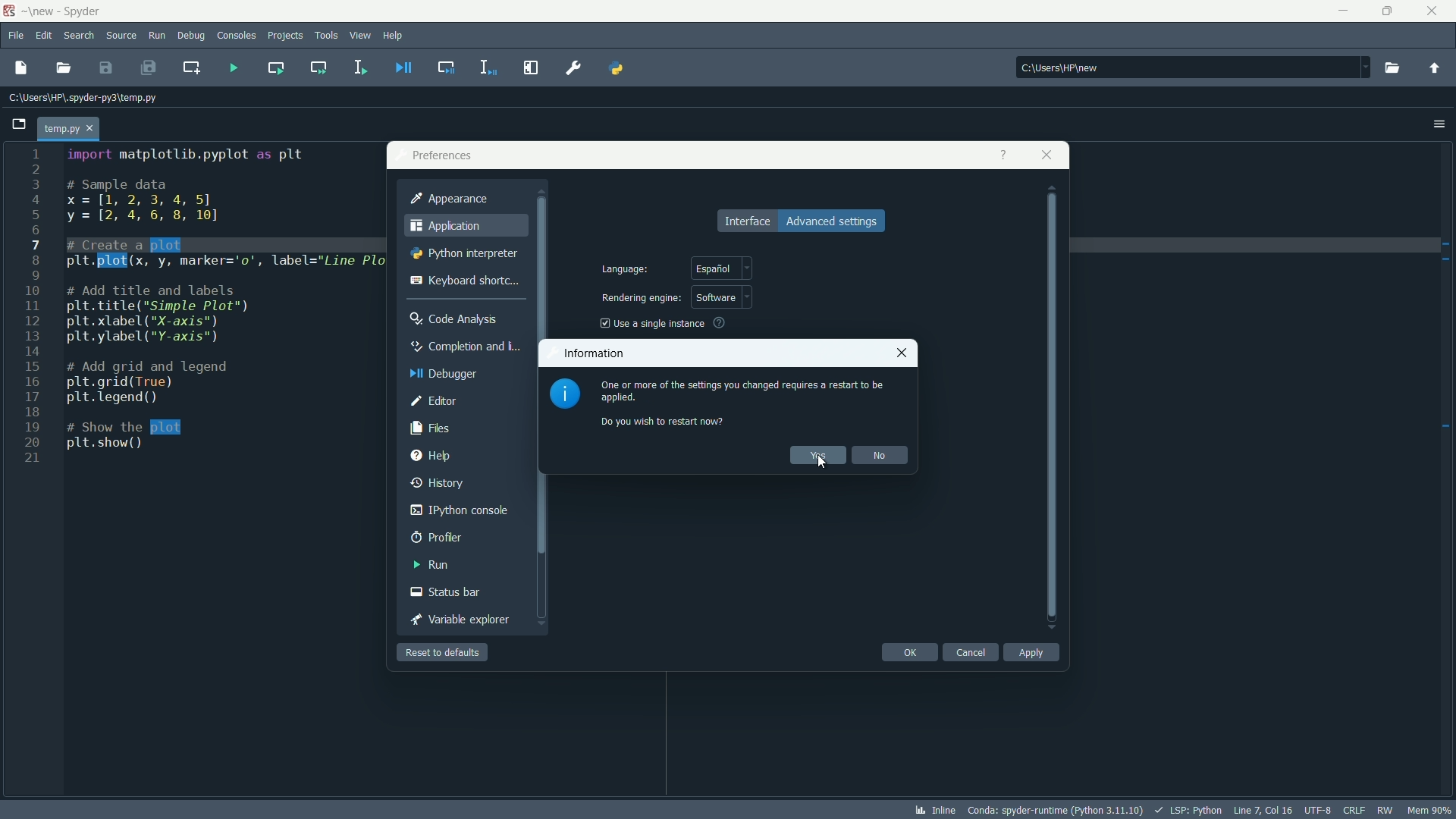 Image resolution: width=1456 pixels, height=819 pixels. I want to click on information, so click(592, 353).